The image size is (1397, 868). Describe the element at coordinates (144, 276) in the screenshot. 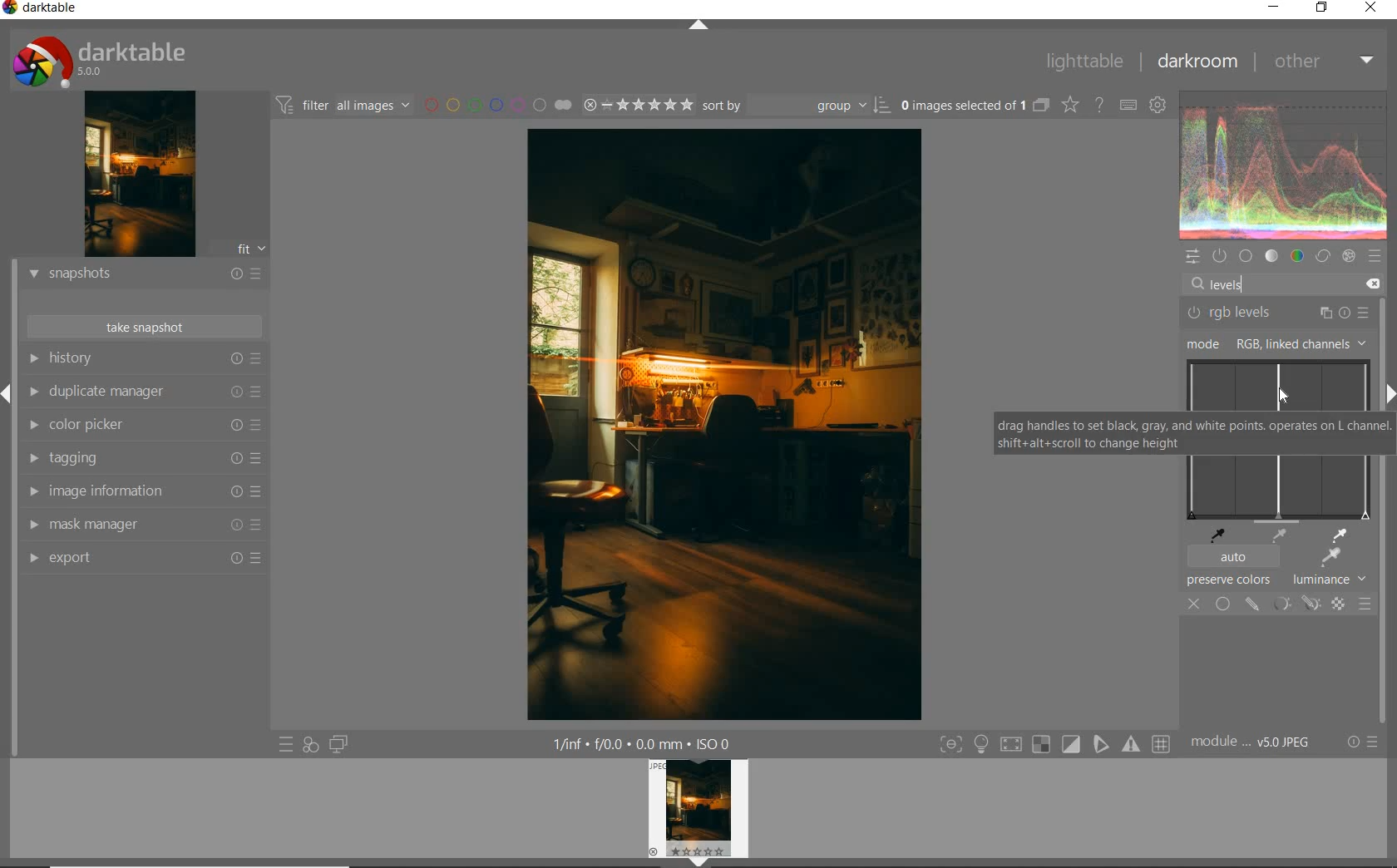

I see `snapshots` at that location.